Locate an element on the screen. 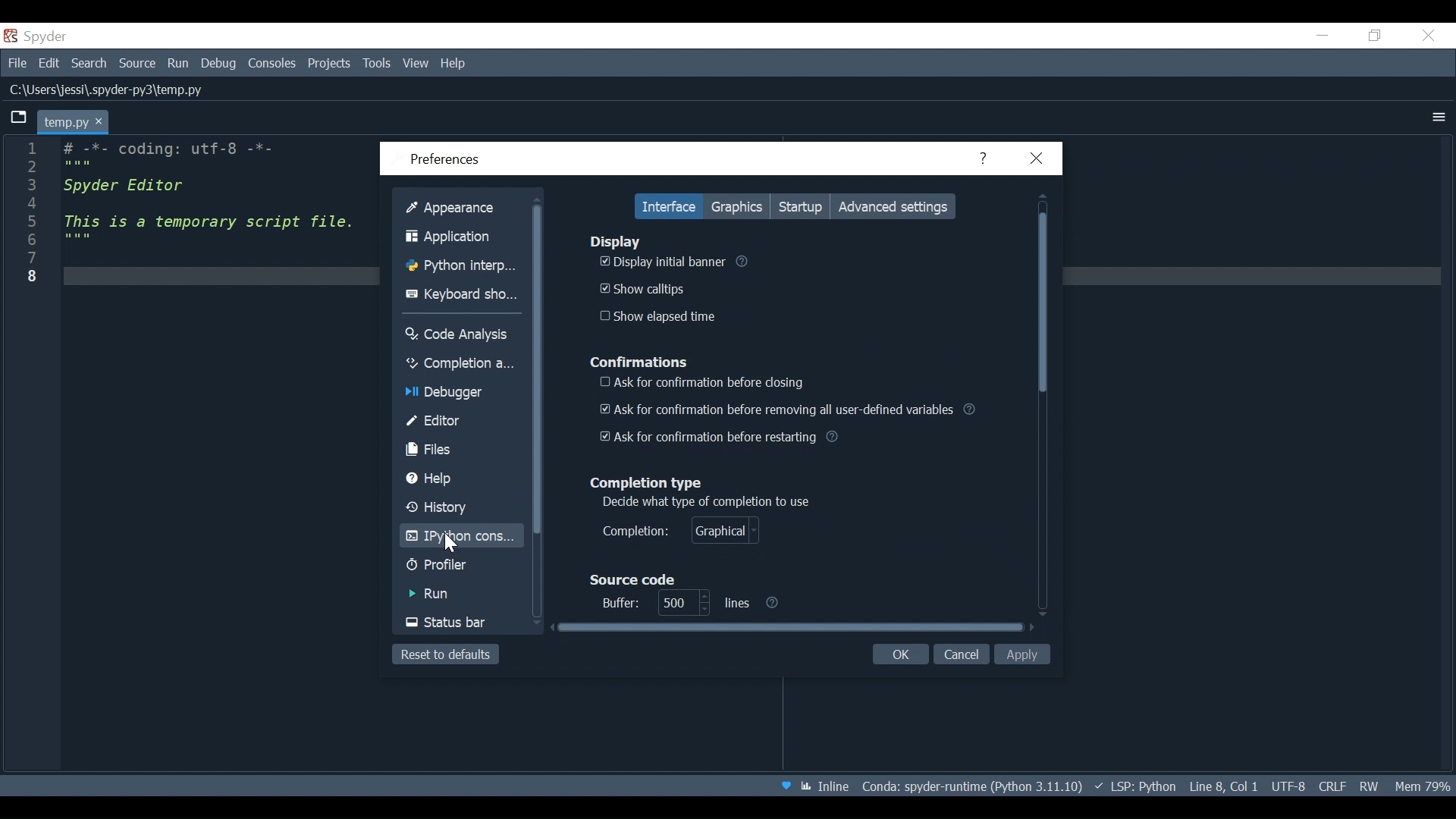 This screenshot has width=1456, height=819. Debugger is located at coordinates (449, 394).